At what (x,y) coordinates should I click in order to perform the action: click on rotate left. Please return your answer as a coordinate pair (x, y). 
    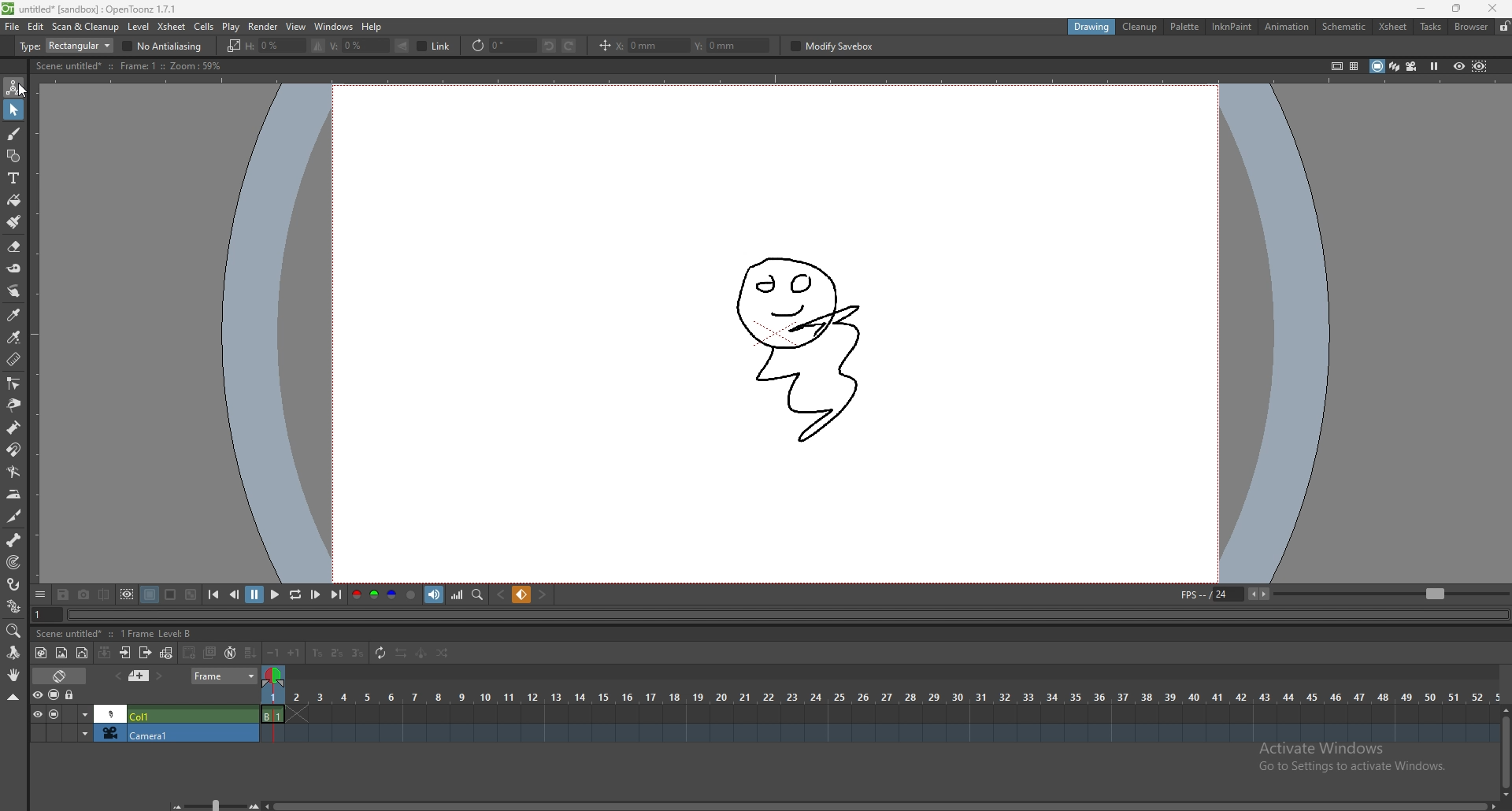
    Looking at the image, I should click on (550, 46).